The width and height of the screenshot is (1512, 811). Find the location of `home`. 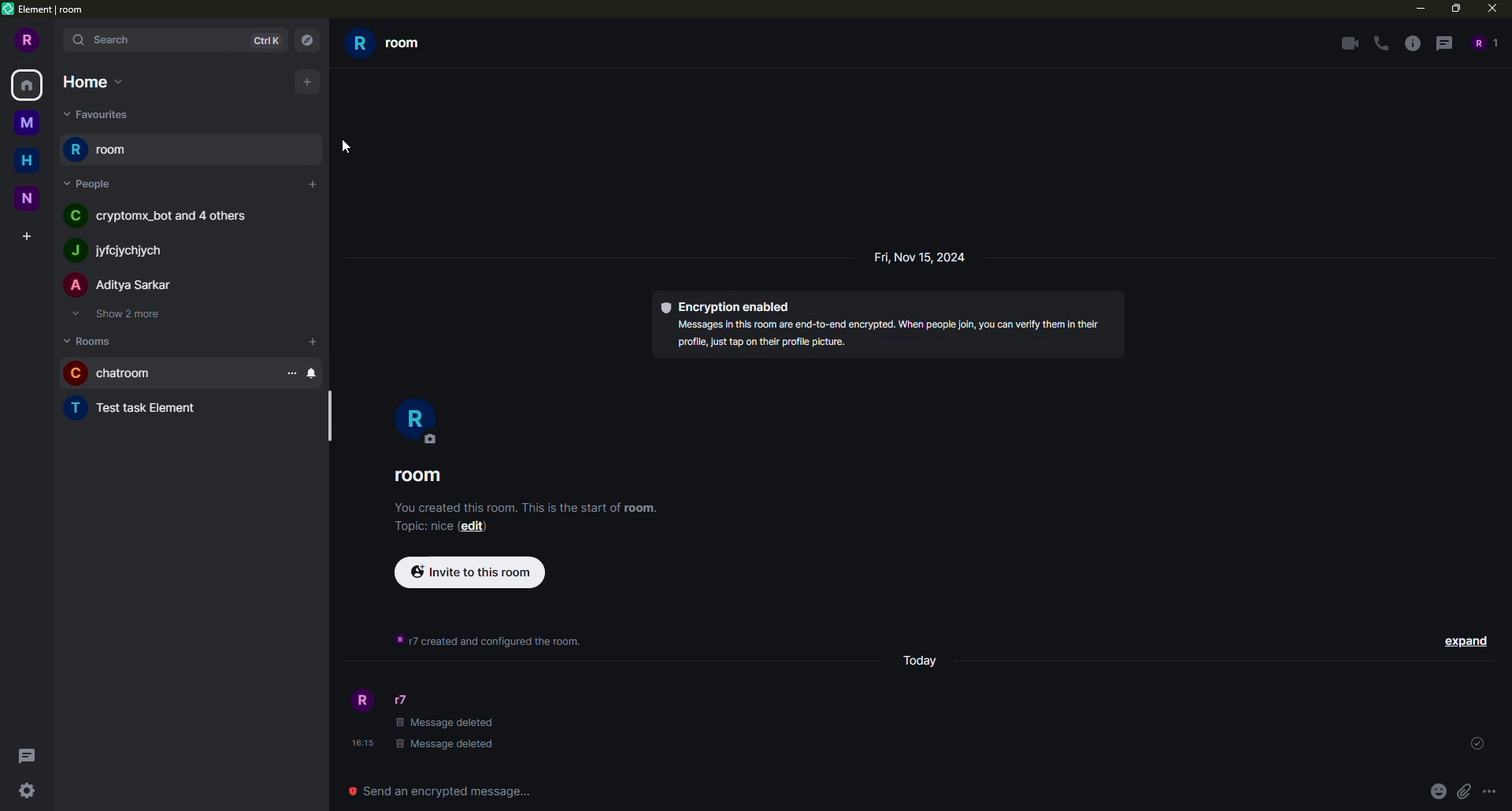

home is located at coordinates (91, 81).